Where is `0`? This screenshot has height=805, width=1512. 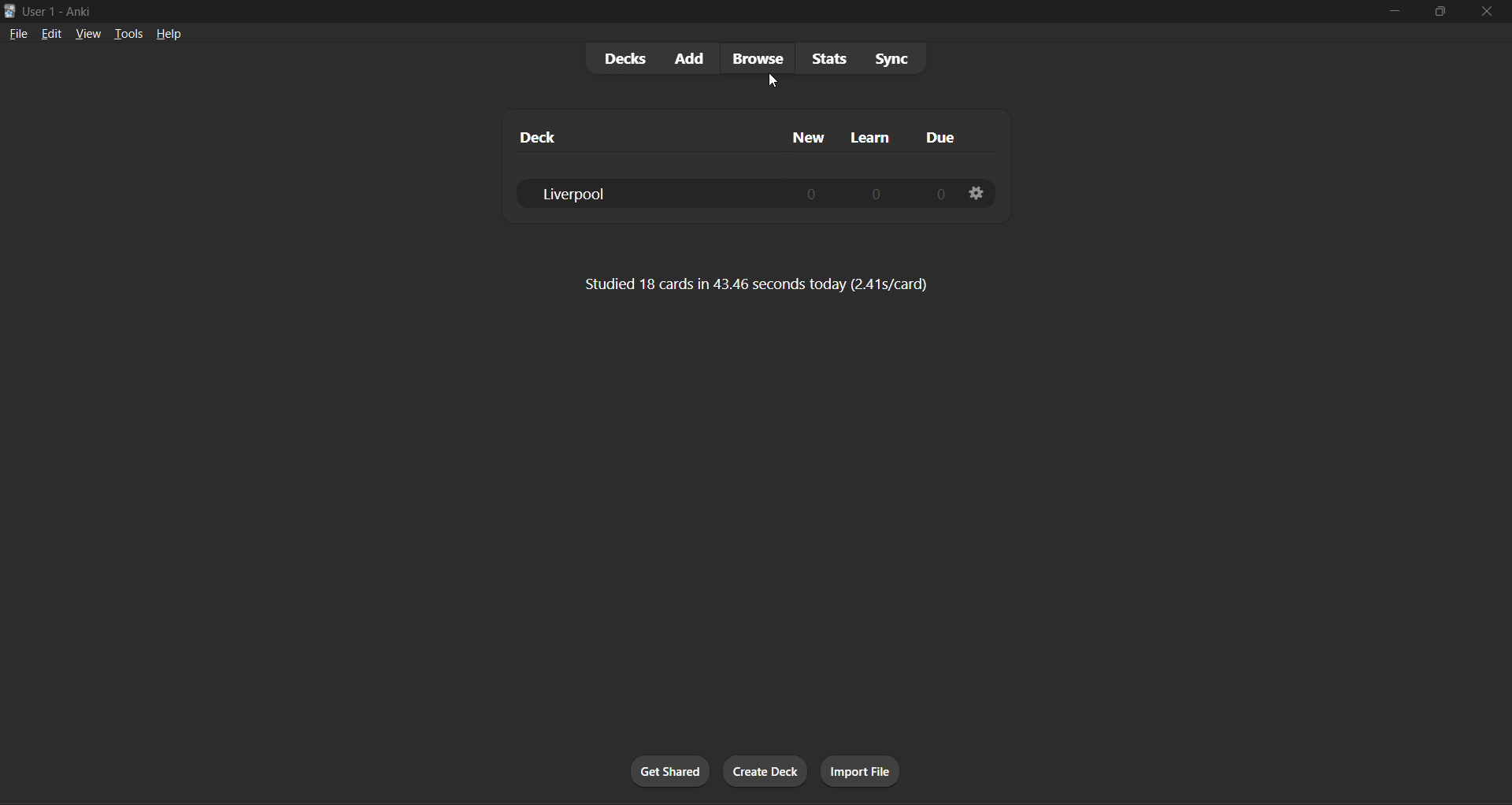
0 is located at coordinates (817, 191).